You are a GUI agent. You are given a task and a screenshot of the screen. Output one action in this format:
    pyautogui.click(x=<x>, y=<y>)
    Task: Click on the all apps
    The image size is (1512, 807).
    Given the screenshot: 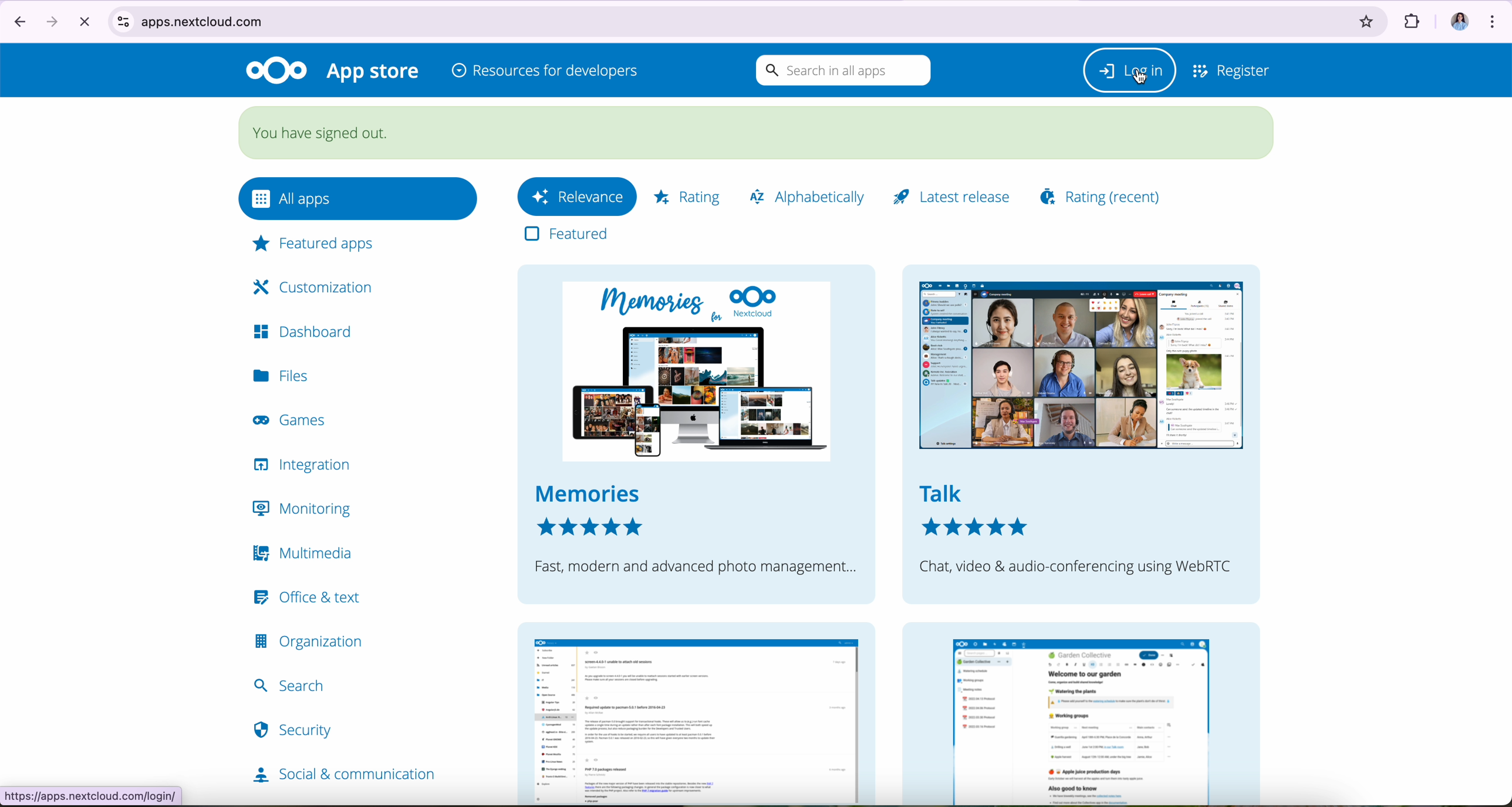 What is the action you would take?
    pyautogui.click(x=356, y=199)
    